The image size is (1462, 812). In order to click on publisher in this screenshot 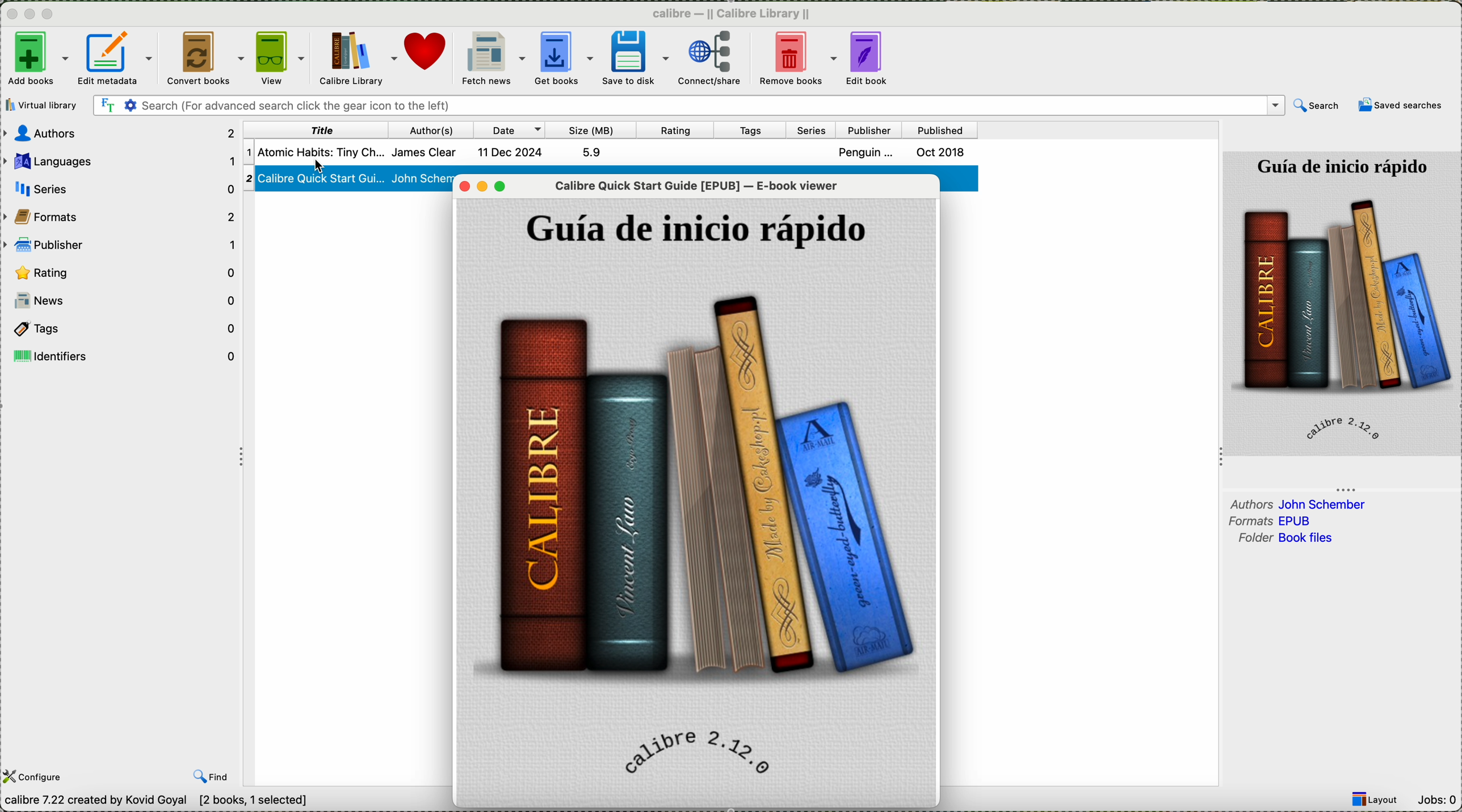, I will do `click(869, 131)`.